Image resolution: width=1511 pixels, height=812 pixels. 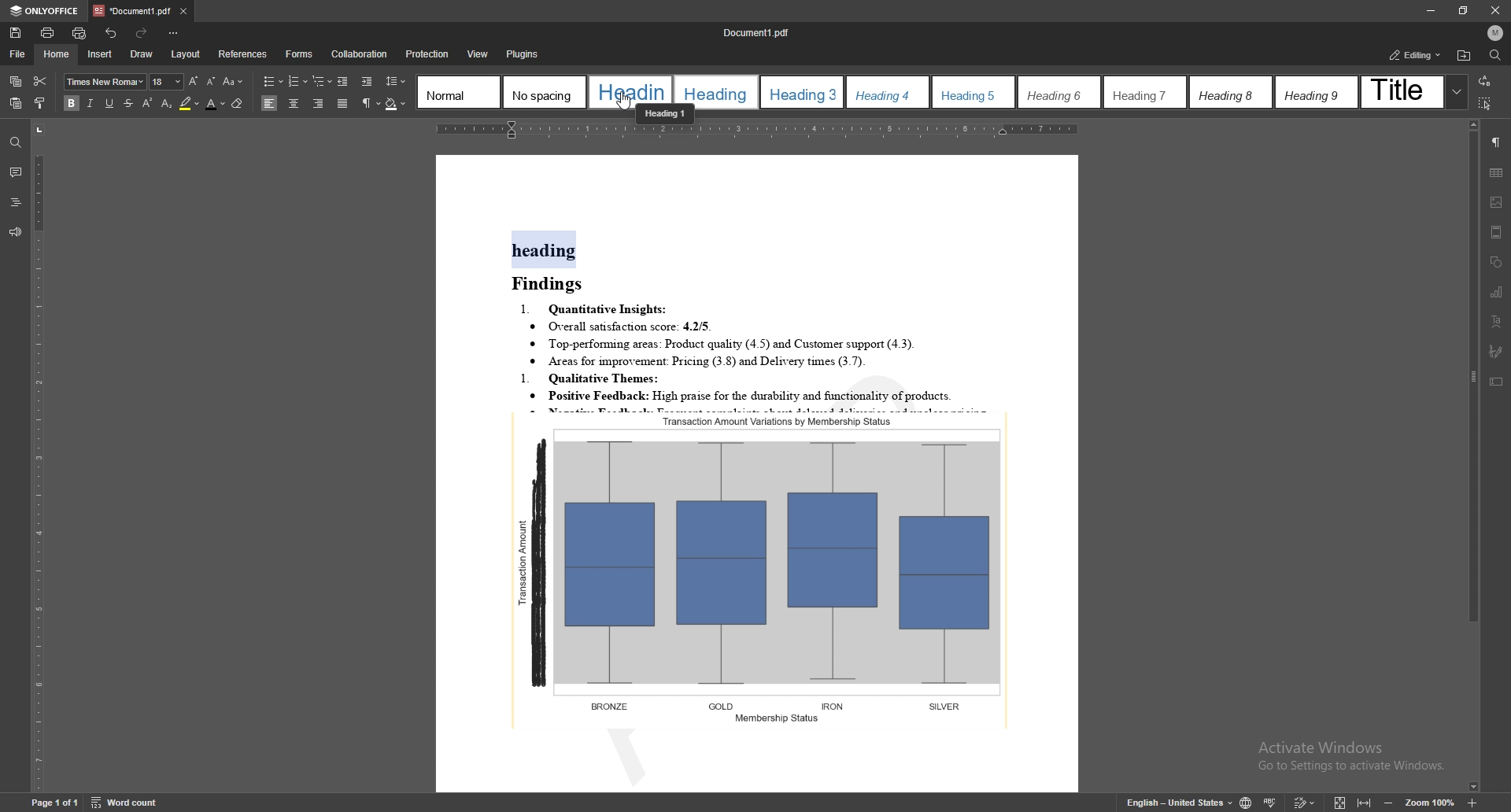 I want to click on italic, so click(x=88, y=104).